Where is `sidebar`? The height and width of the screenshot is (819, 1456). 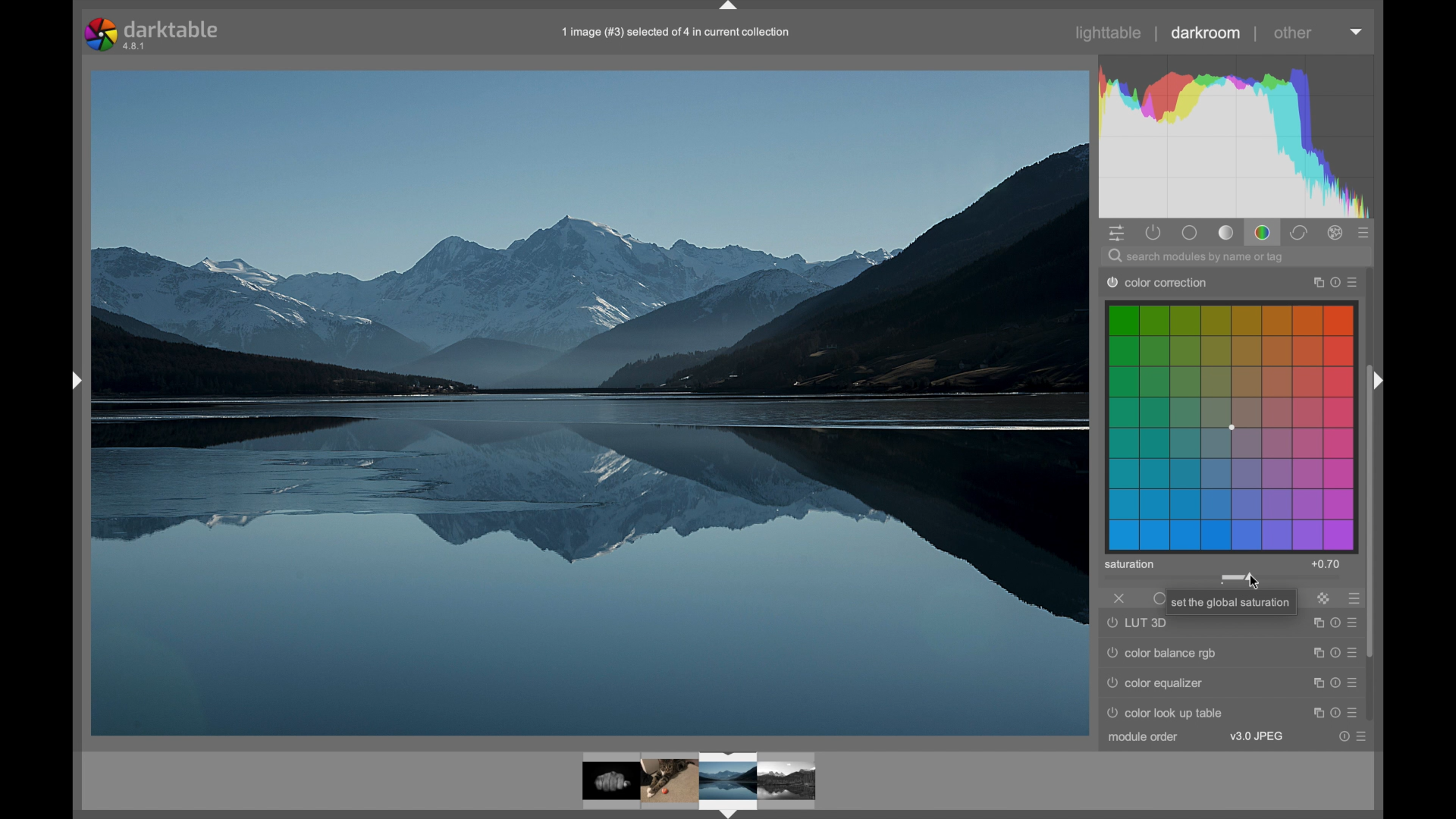 sidebar is located at coordinates (74, 381).